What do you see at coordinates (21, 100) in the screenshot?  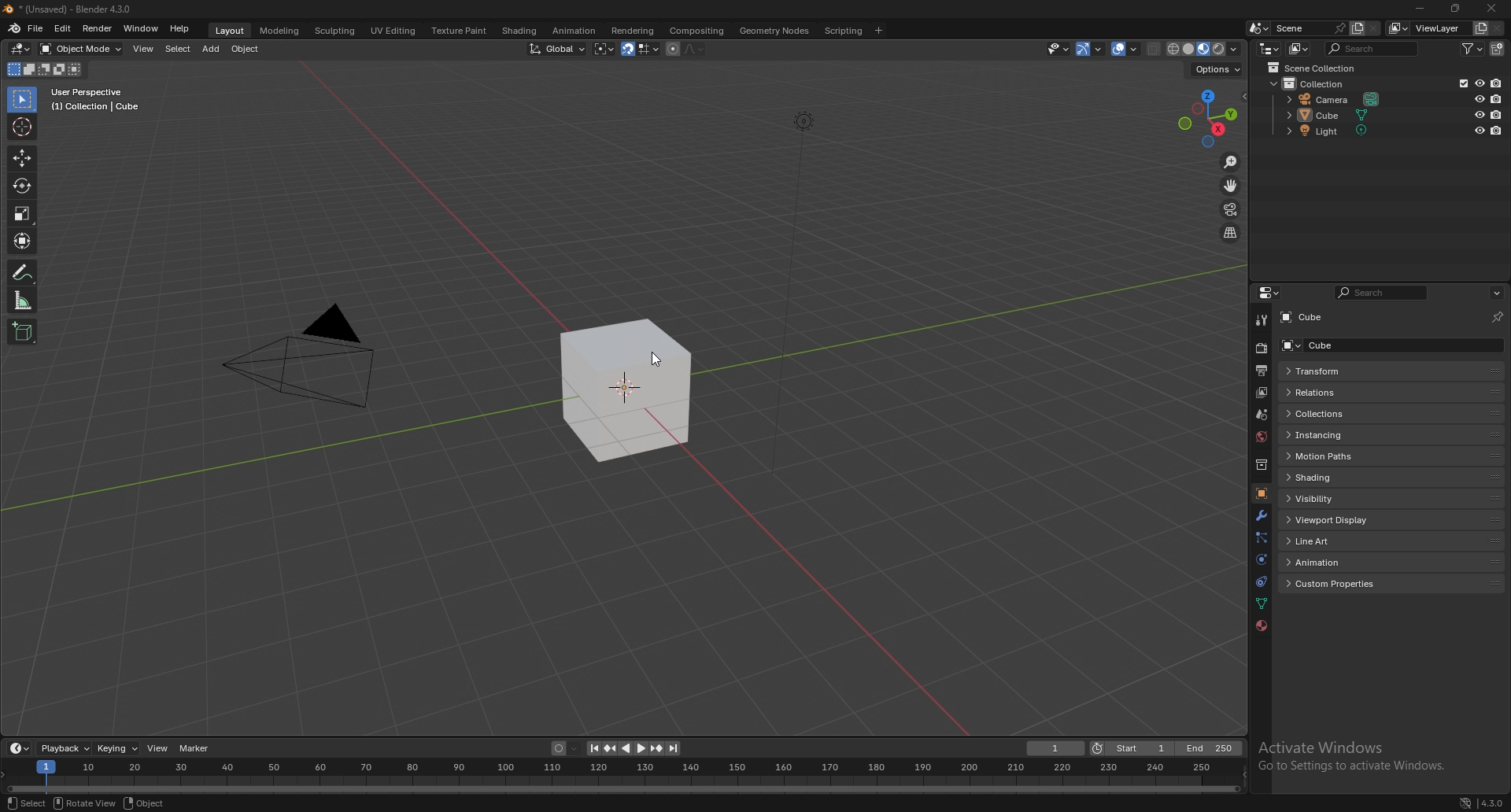 I see `selector` at bounding box center [21, 100].